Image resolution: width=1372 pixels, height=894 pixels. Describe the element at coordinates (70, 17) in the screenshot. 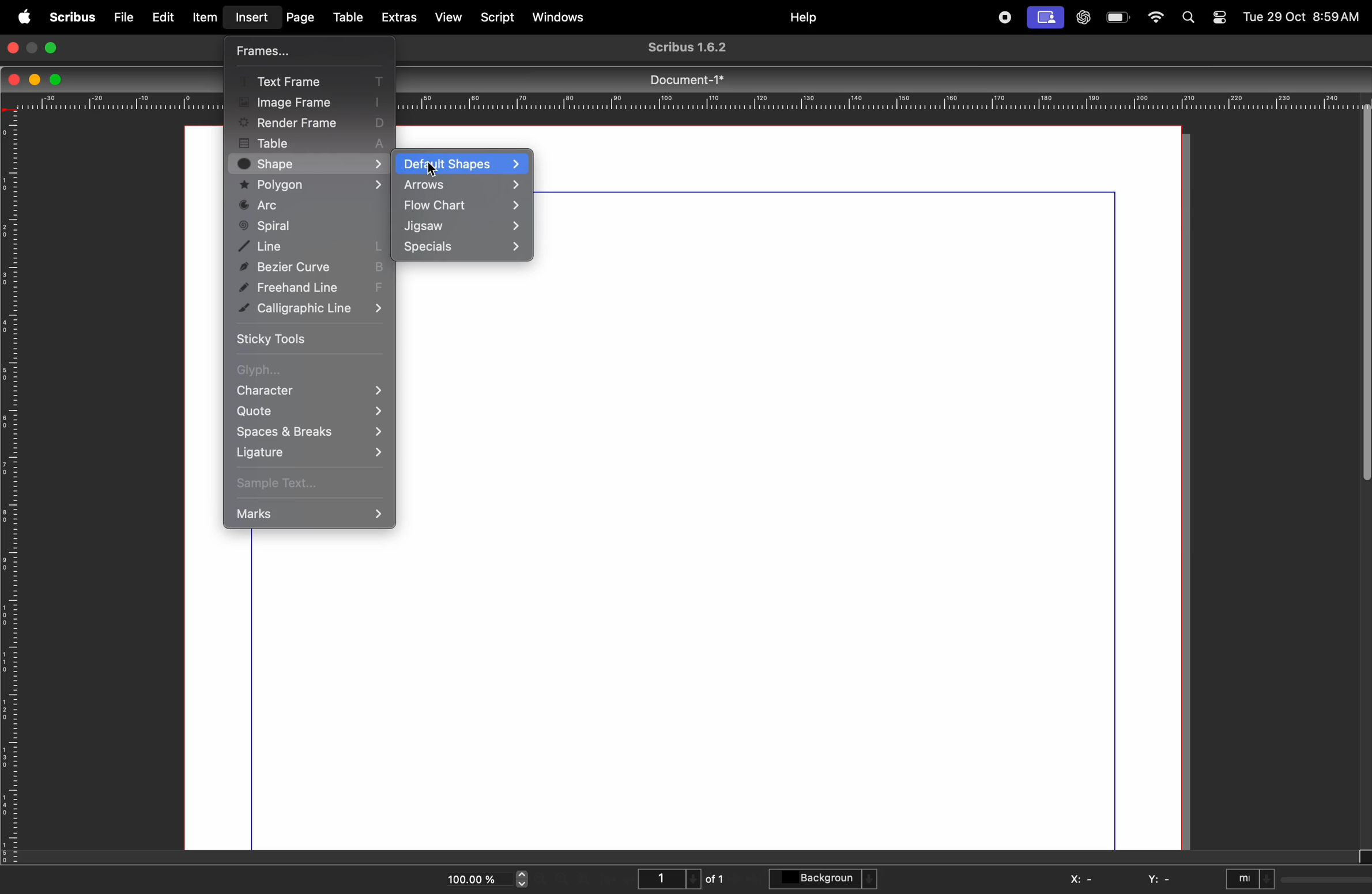

I see `scribus` at that location.